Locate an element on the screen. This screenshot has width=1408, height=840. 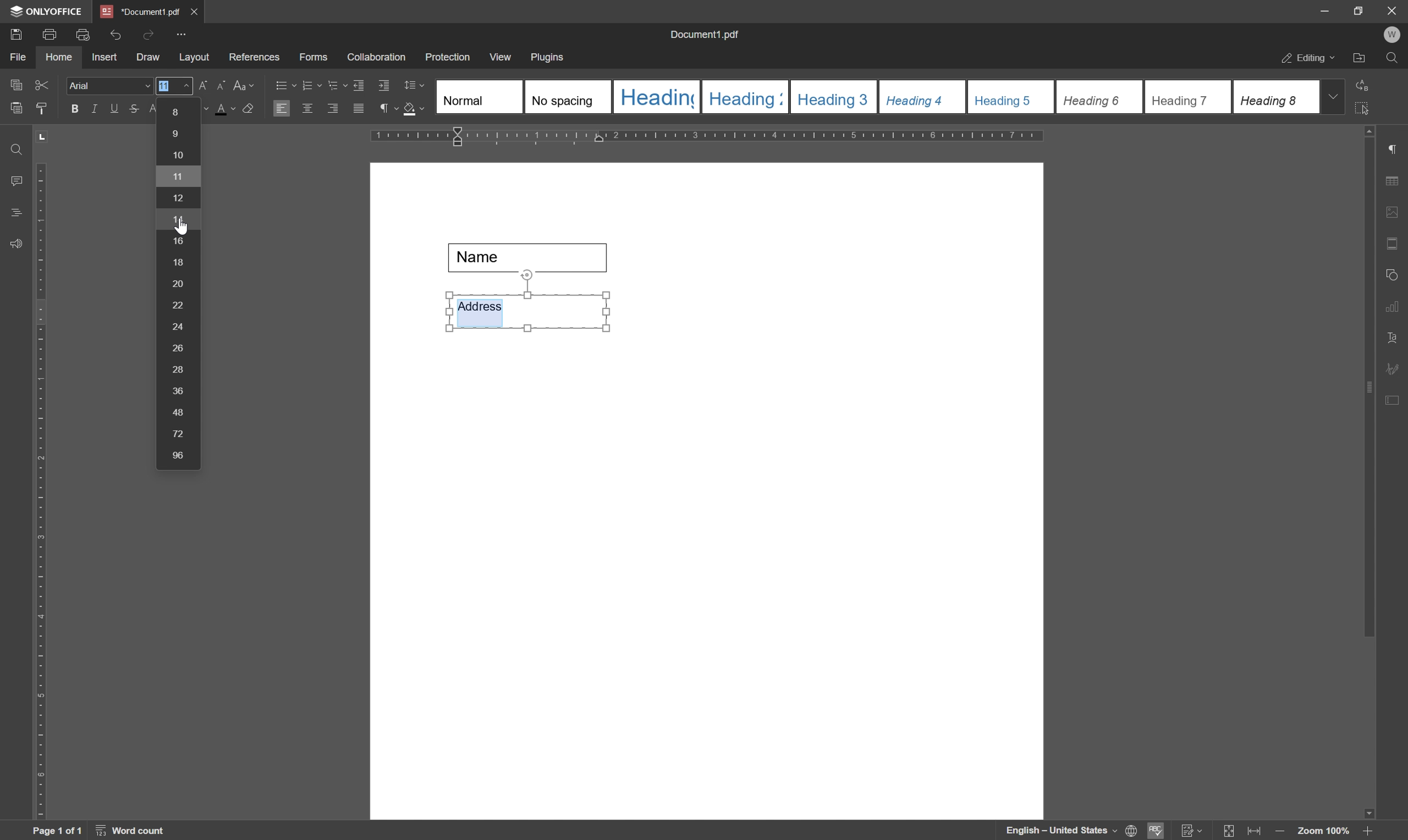
find is located at coordinates (14, 146).